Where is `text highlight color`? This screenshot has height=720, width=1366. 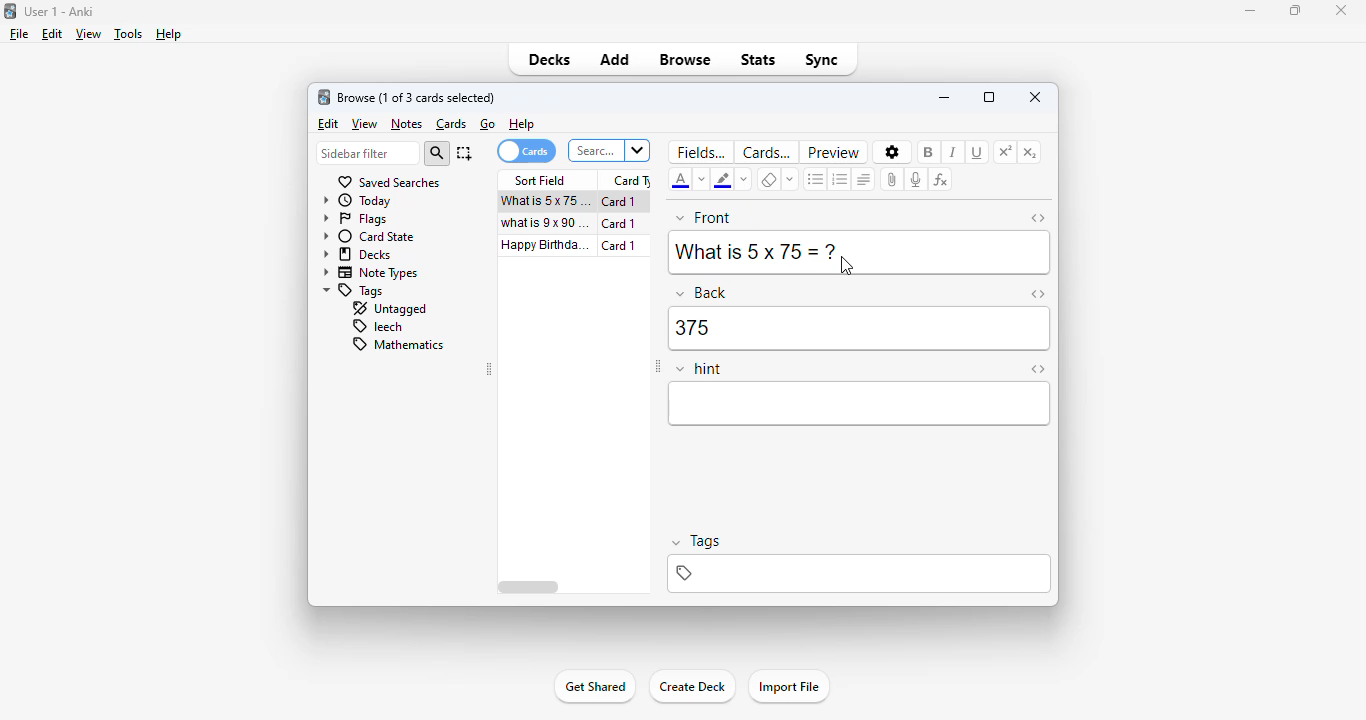
text highlight color is located at coordinates (725, 180).